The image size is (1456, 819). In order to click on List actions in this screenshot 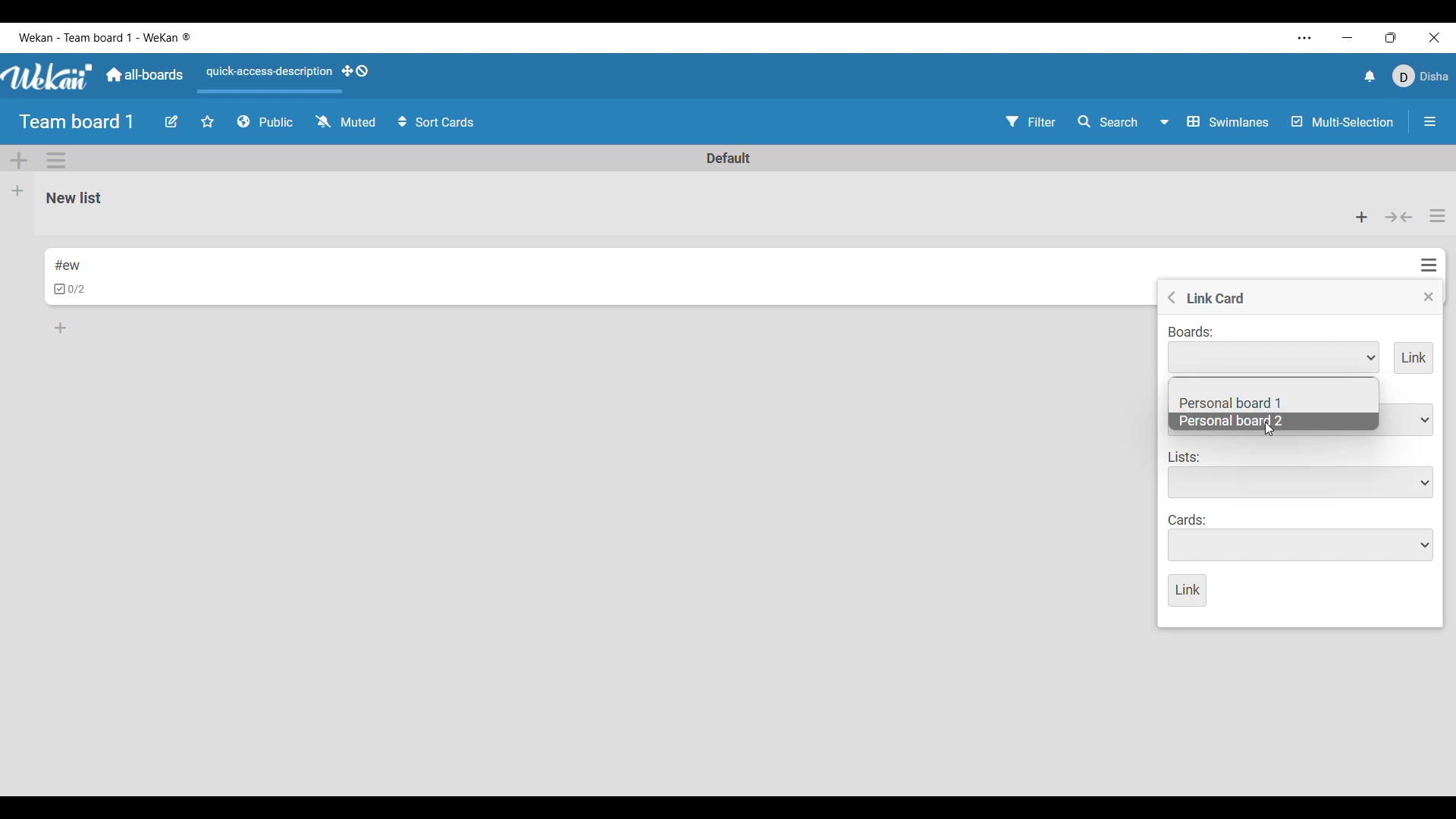, I will do `click(1438, 215)`.